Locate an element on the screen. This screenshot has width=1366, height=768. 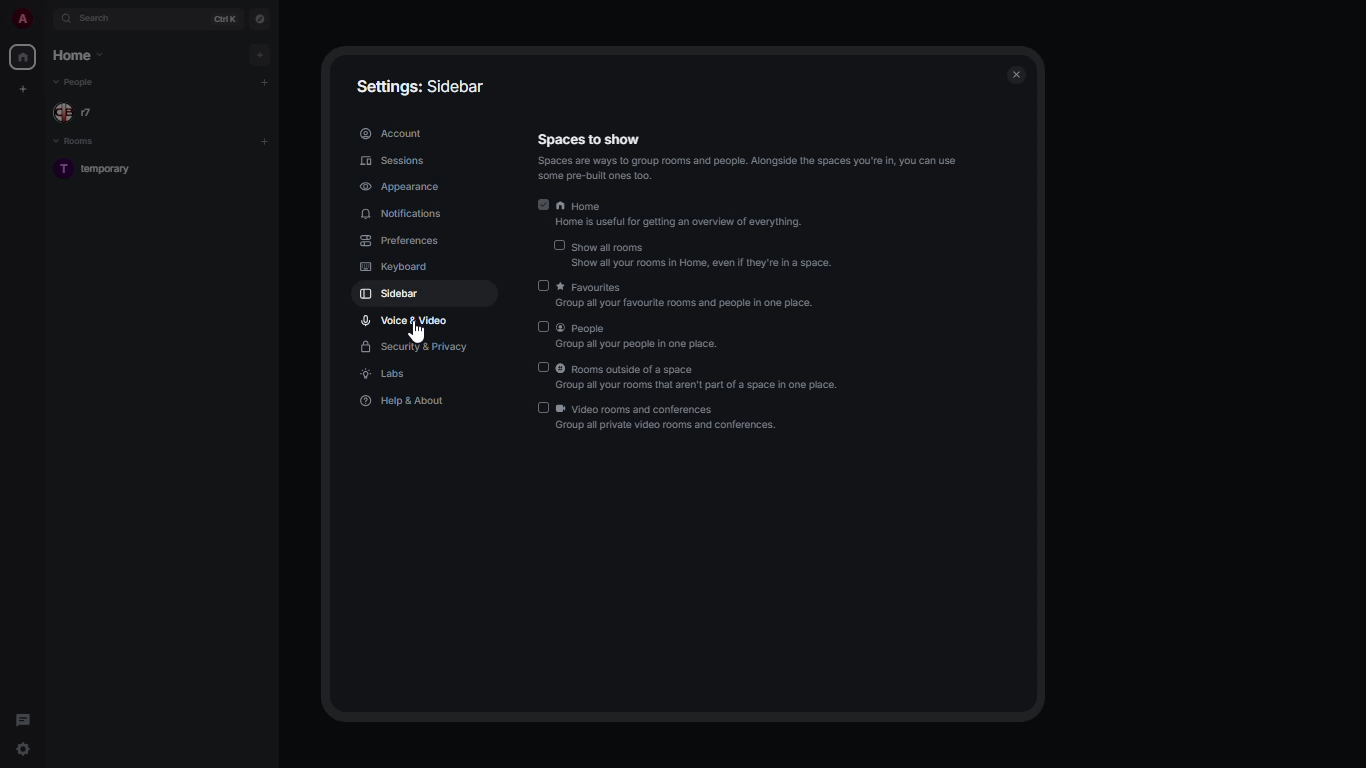
voice & video is located at coordinates (406, 319).